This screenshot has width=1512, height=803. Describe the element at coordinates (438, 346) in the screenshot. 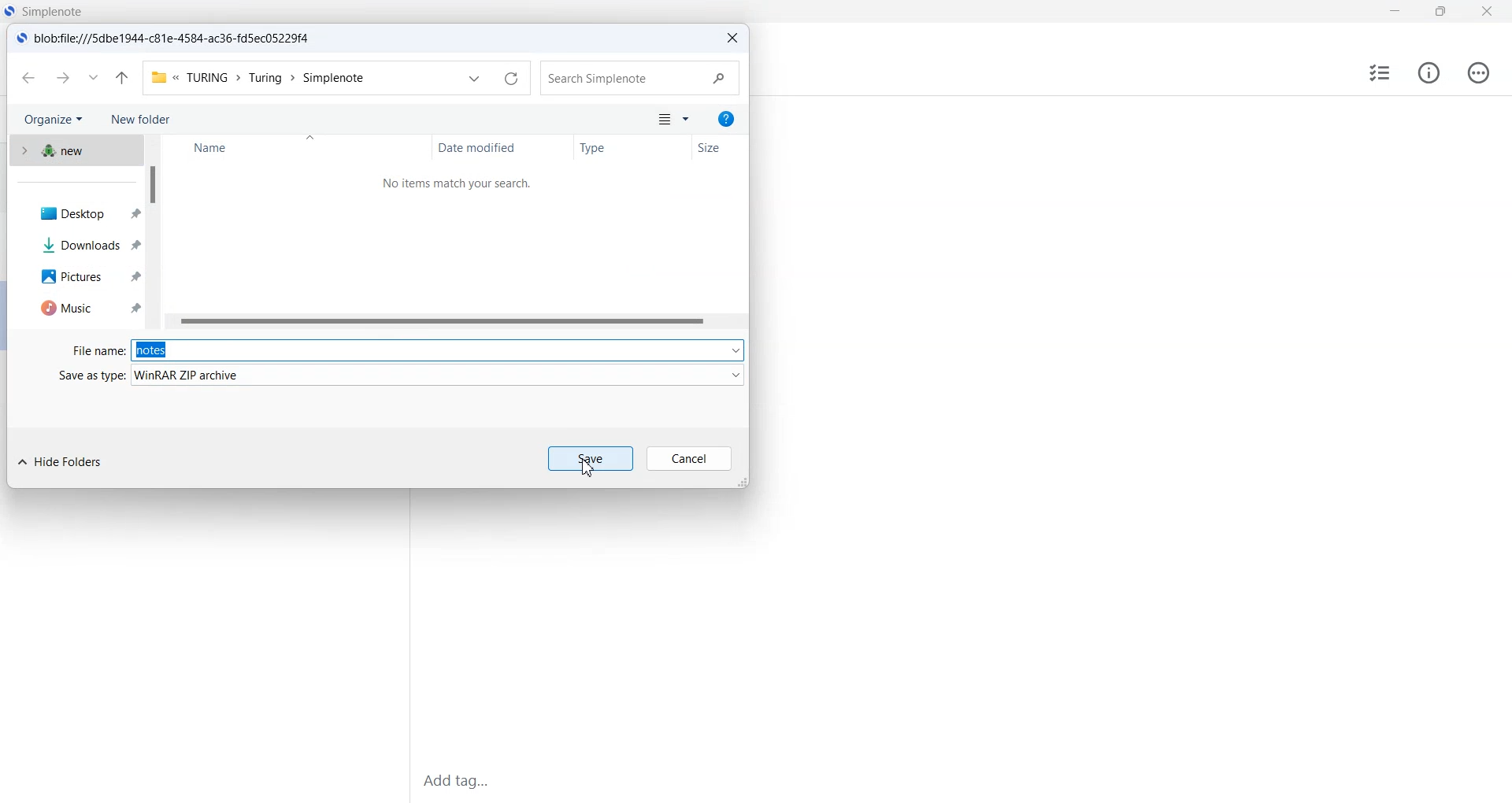

I see `File name` at that location.